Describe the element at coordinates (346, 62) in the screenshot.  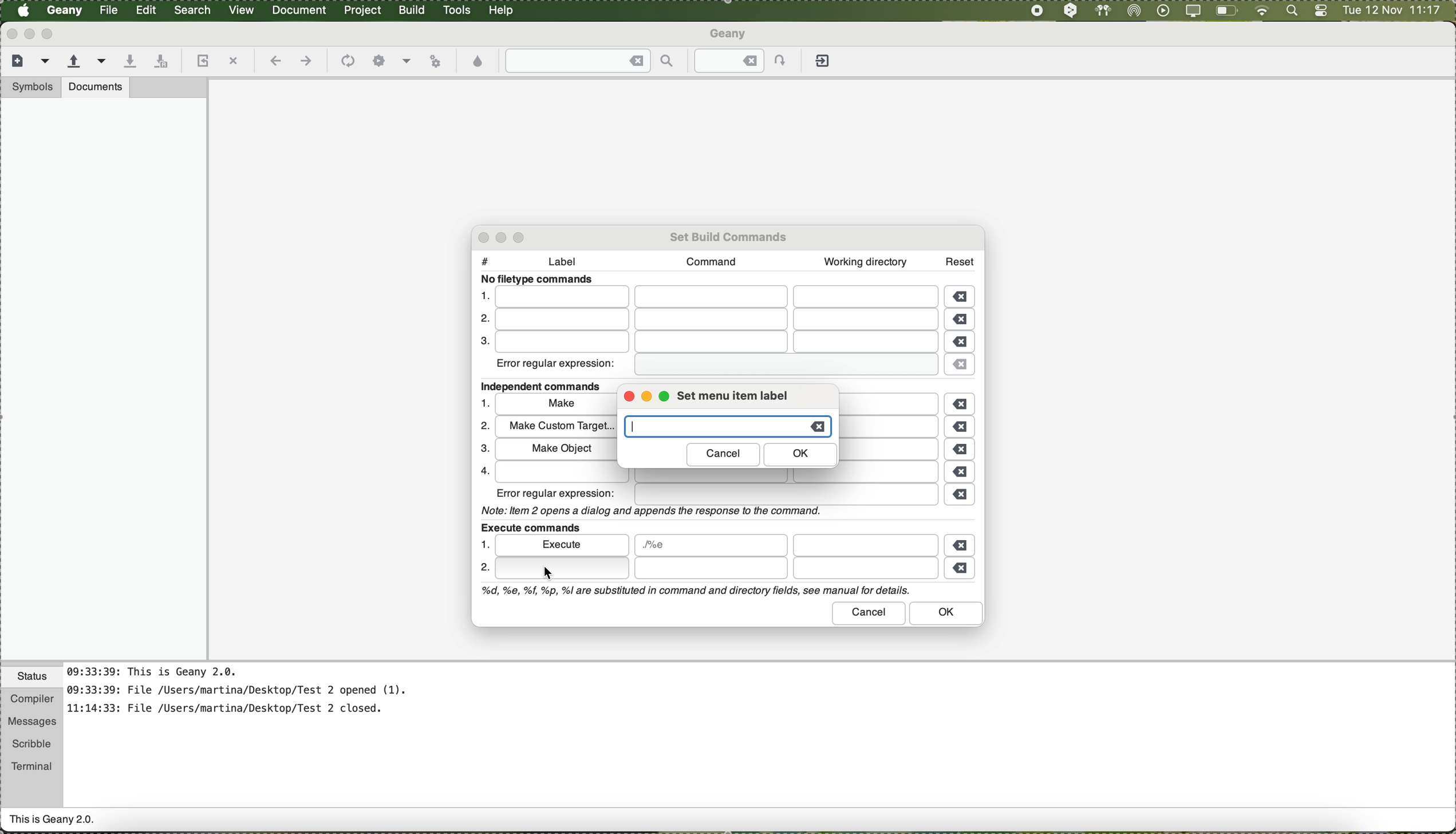
I see `icon` at that location.